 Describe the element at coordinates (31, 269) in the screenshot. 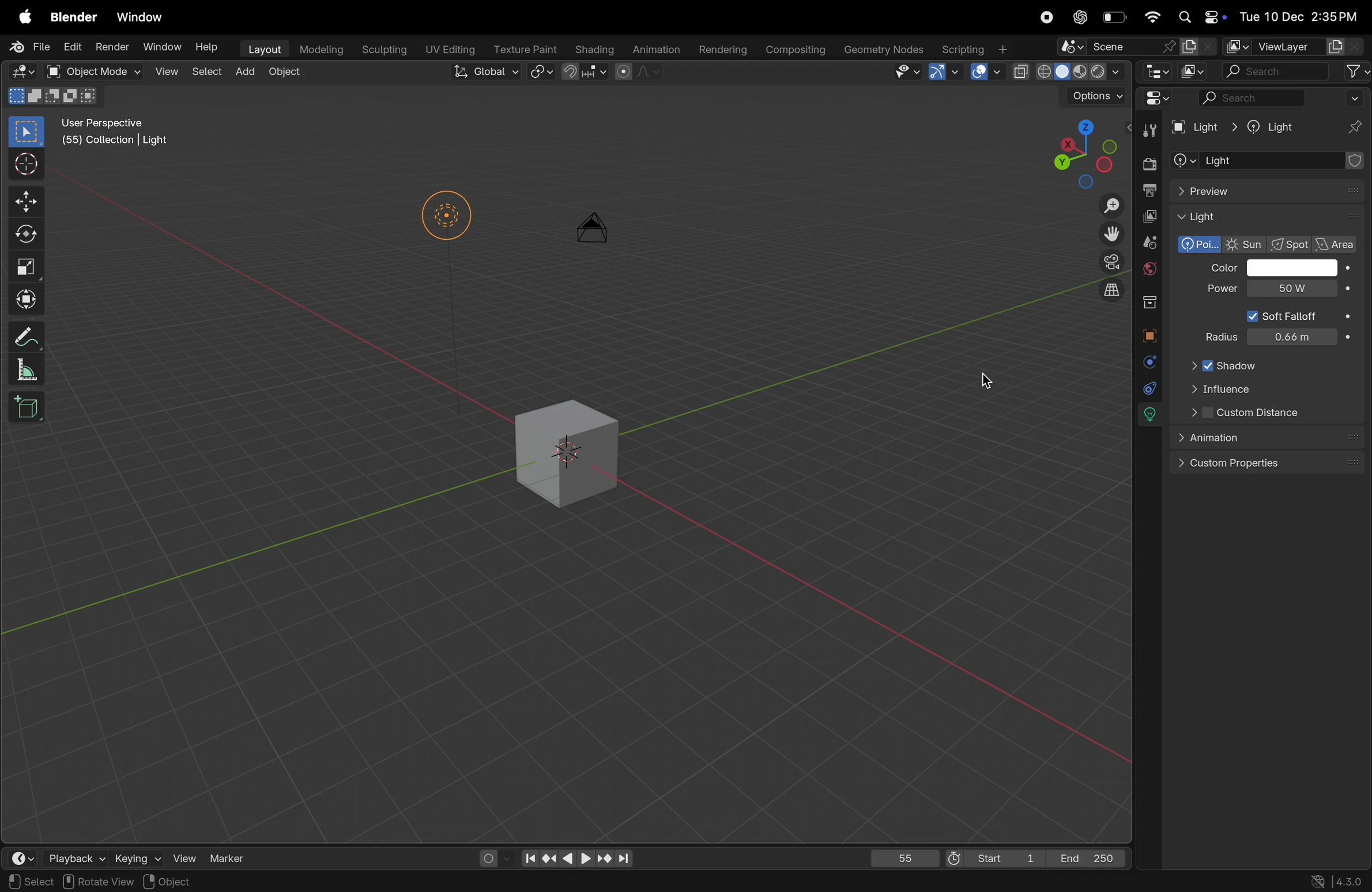

I see `scale` at that location.